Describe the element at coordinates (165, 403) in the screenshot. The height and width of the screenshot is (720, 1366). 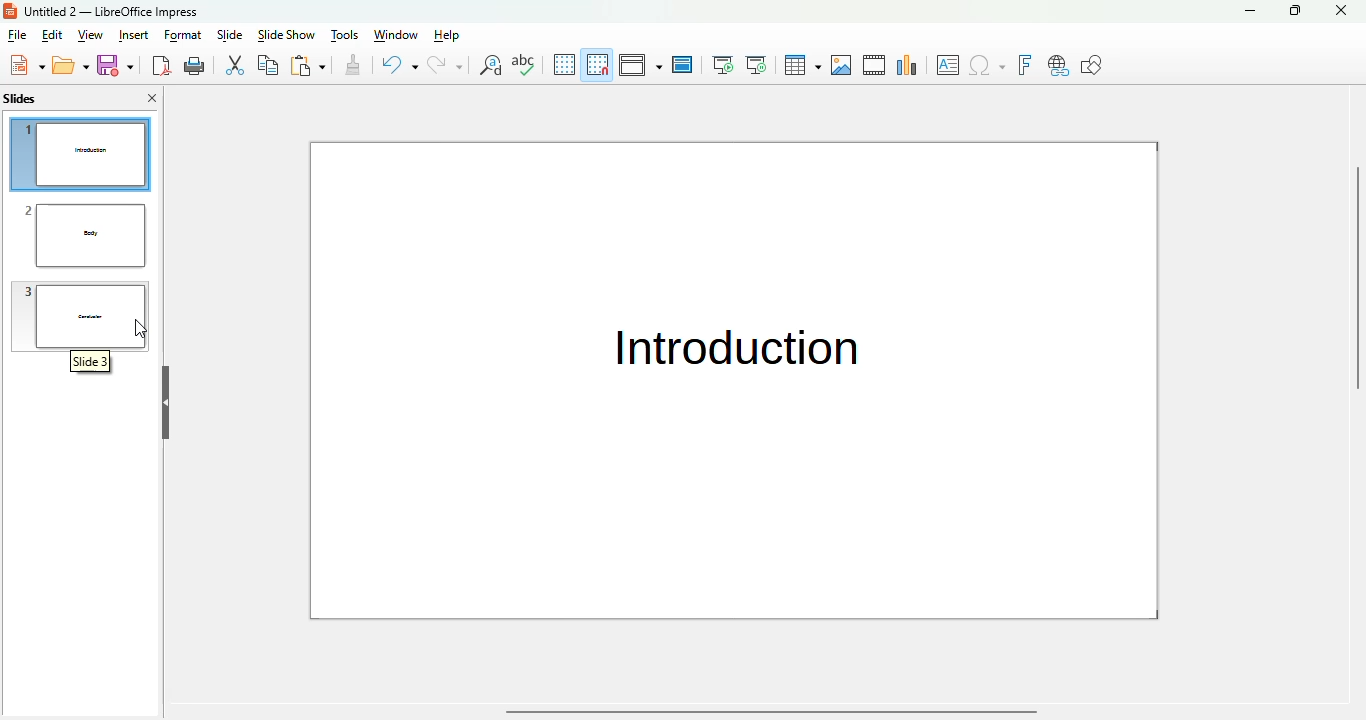
I see `hide` at that location.